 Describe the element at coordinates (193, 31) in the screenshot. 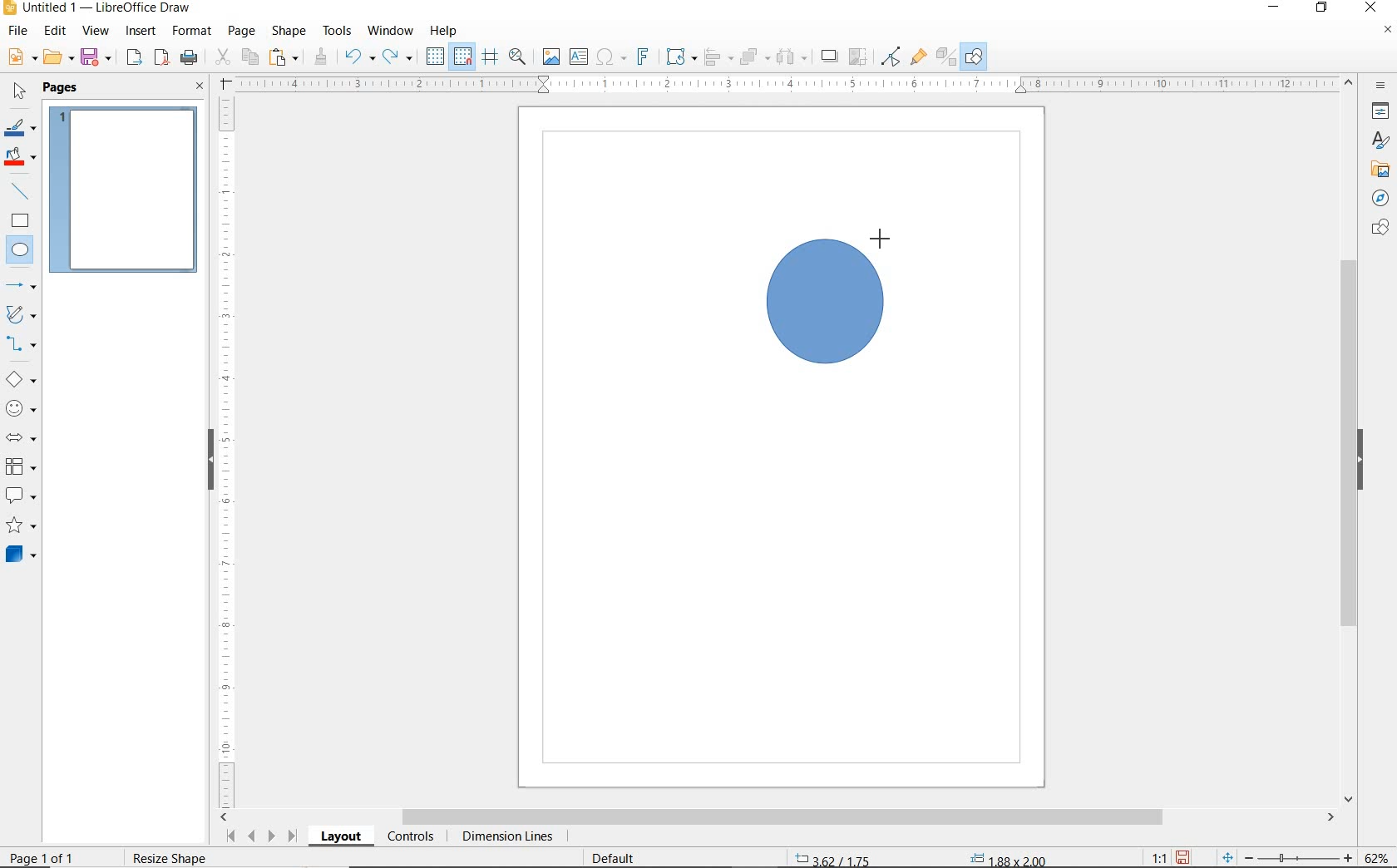

I see `FORMAT` at that location.